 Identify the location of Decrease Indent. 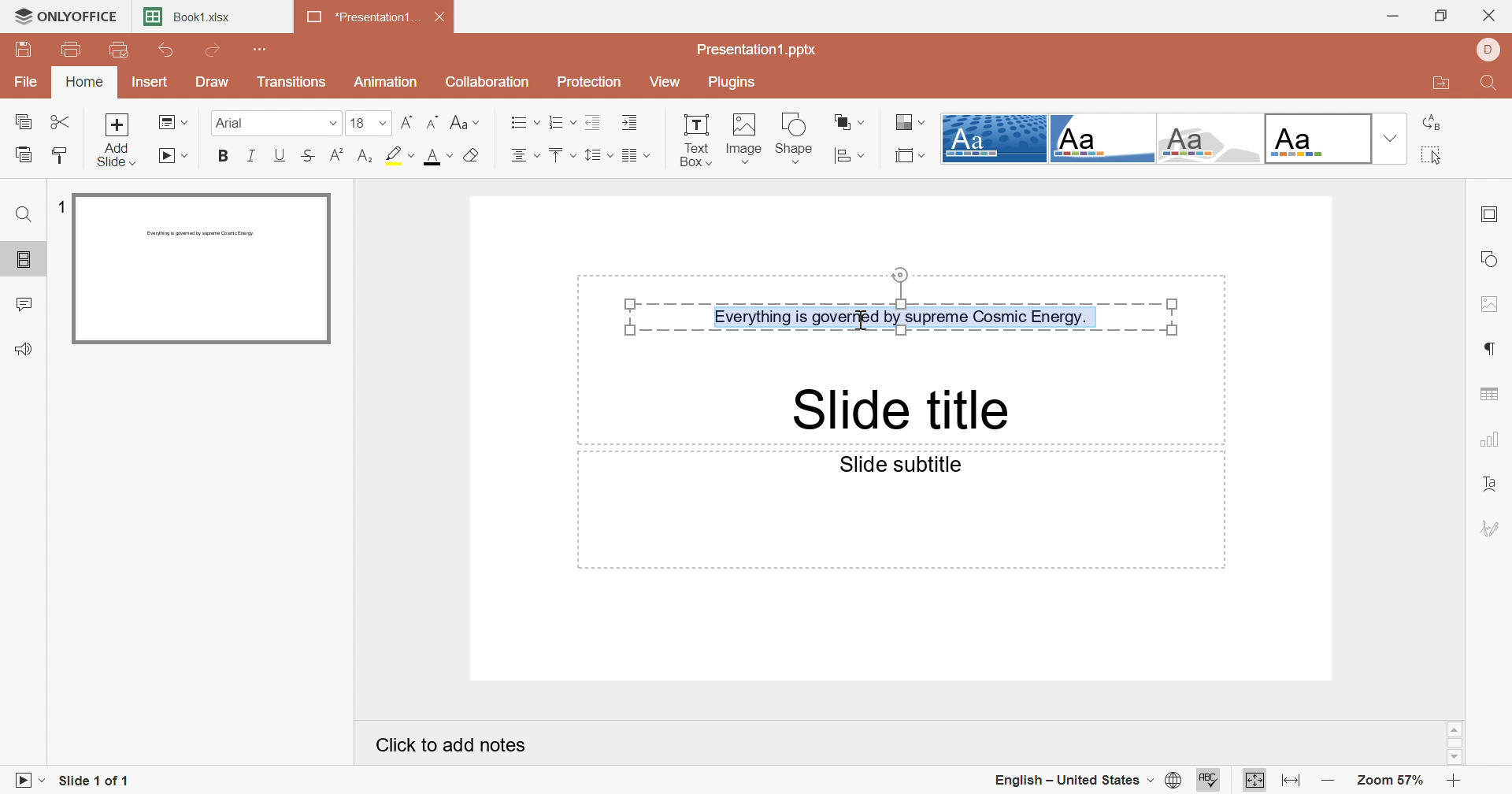
(591, 119).